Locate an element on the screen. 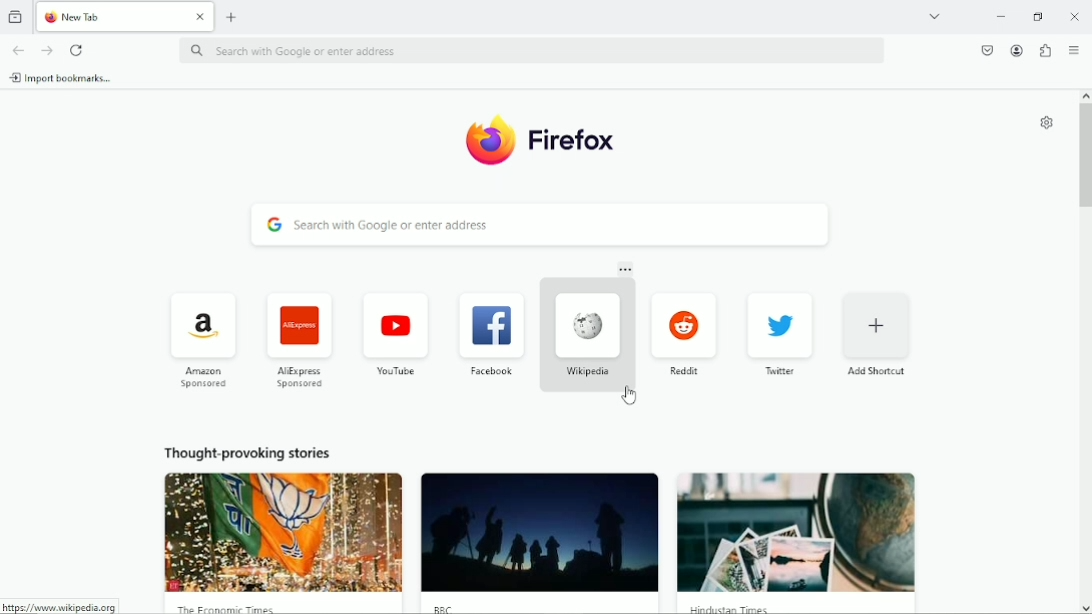 The width and height of the screenshot is (1092, 614). Add shortcut is located at coordinates (876, 332).